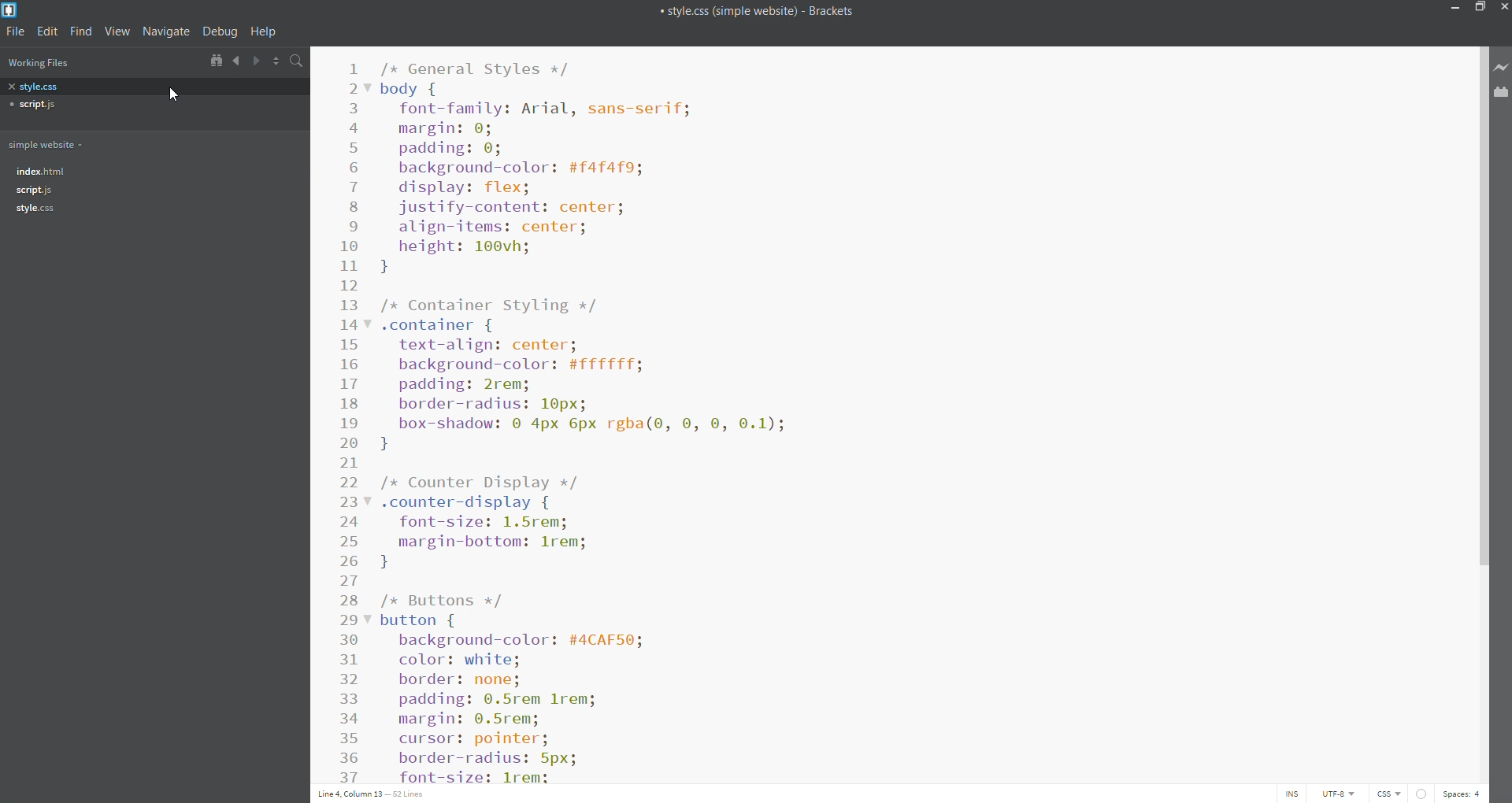 This screenshot has height=803, width=1512. What do you see at coordinates (150, 103) in the screenshot?
I see `script.js` at bounding box center [150, 103].